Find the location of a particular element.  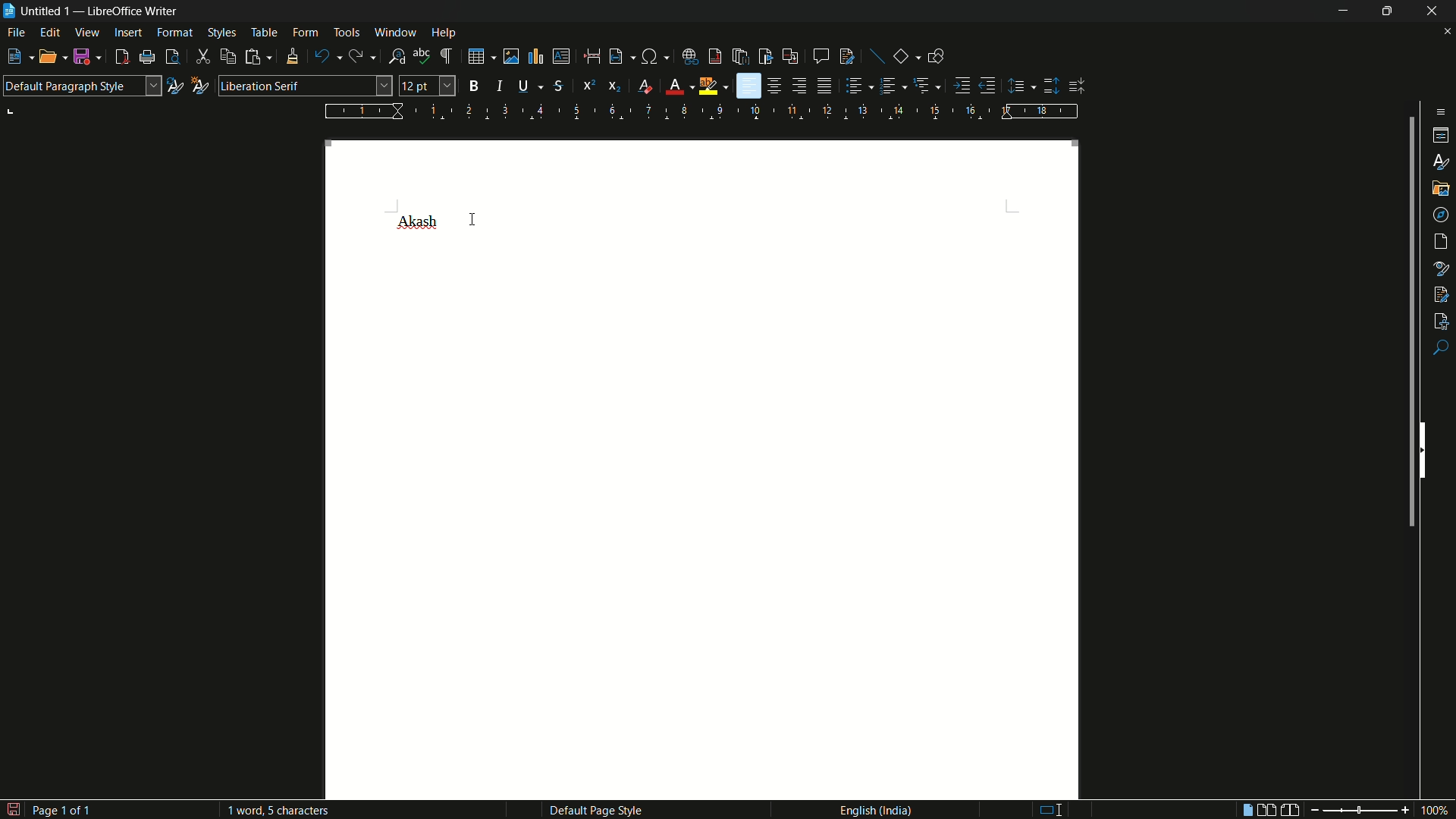

tools menu is located at coordinates (347, 32).